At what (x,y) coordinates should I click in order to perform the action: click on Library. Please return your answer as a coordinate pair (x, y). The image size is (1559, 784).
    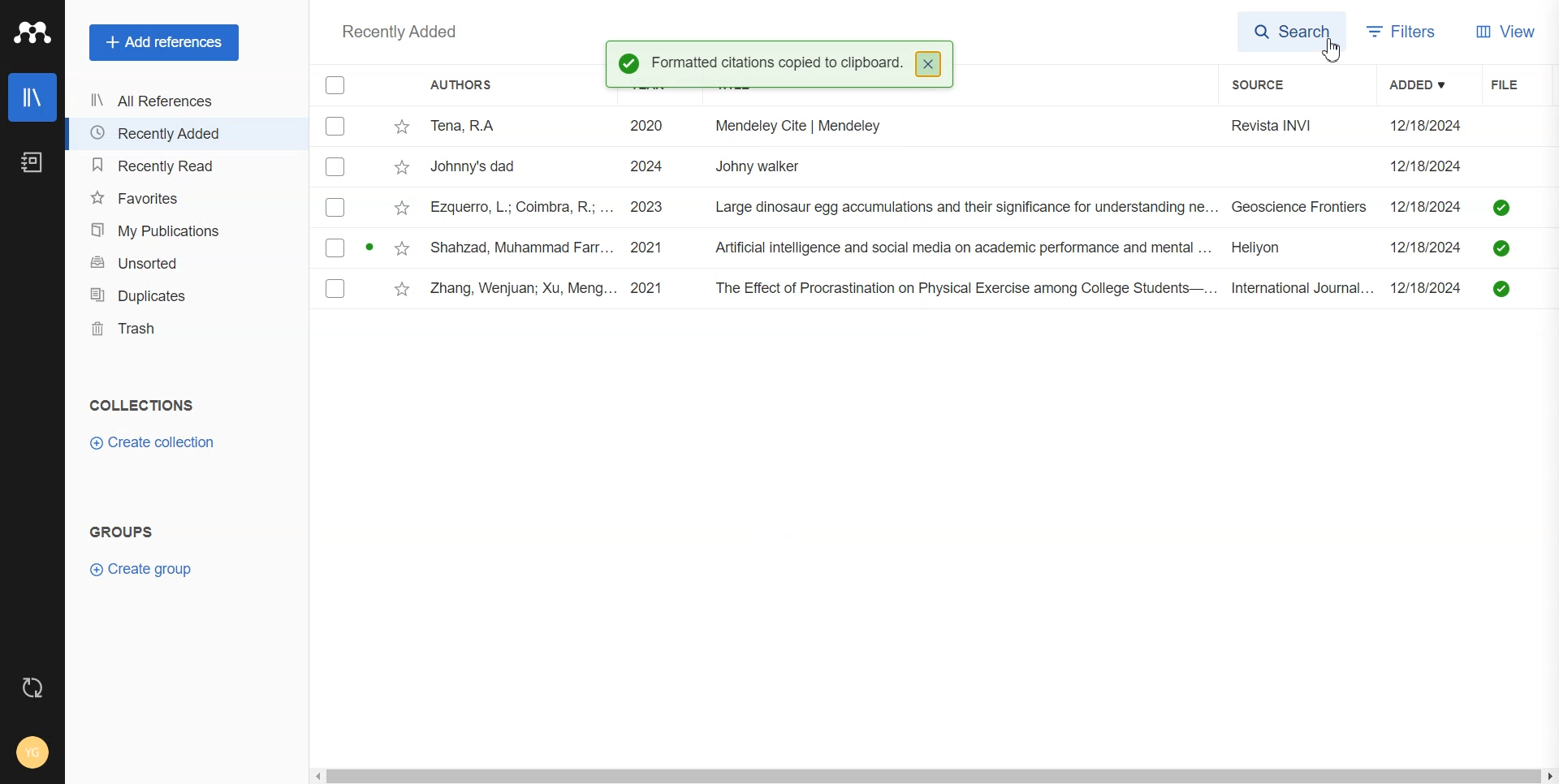
    Looking at the image, I should click on (33, 97).